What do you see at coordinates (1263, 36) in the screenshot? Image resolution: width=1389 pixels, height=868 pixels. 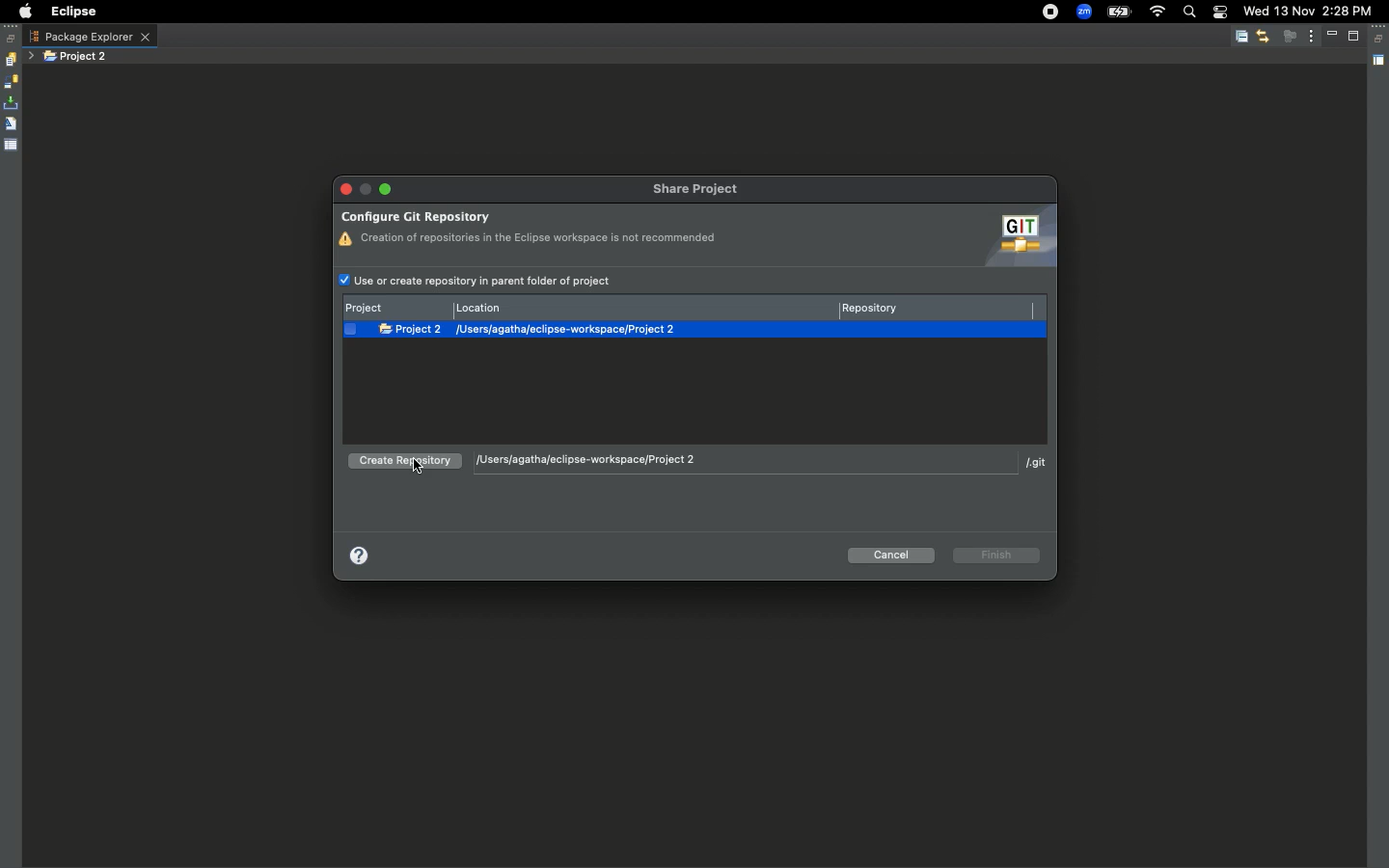 I see `Link with editor` at bounding box center [1263, 36].